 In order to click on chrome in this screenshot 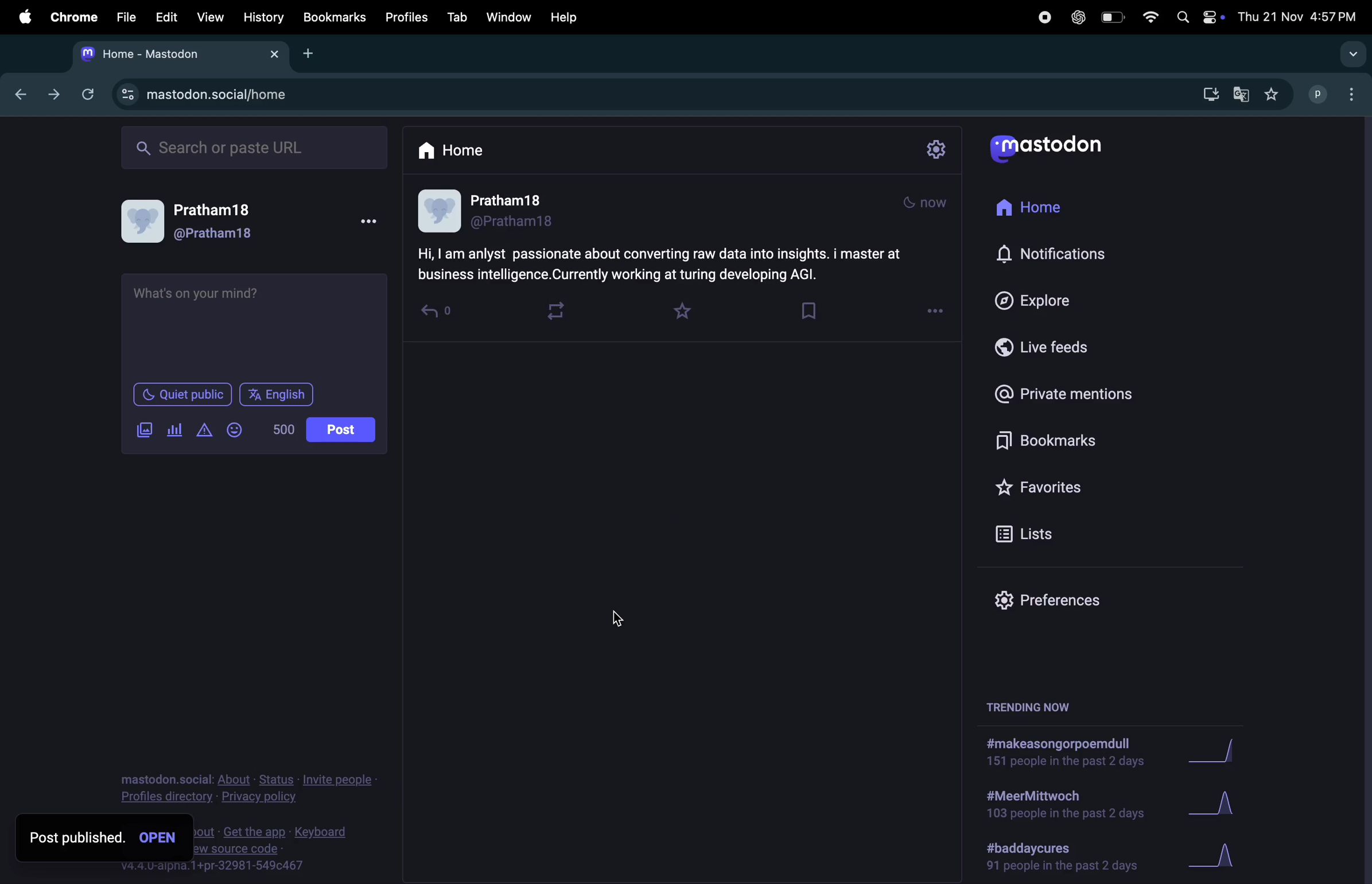, I will do `click(70, 17)`.